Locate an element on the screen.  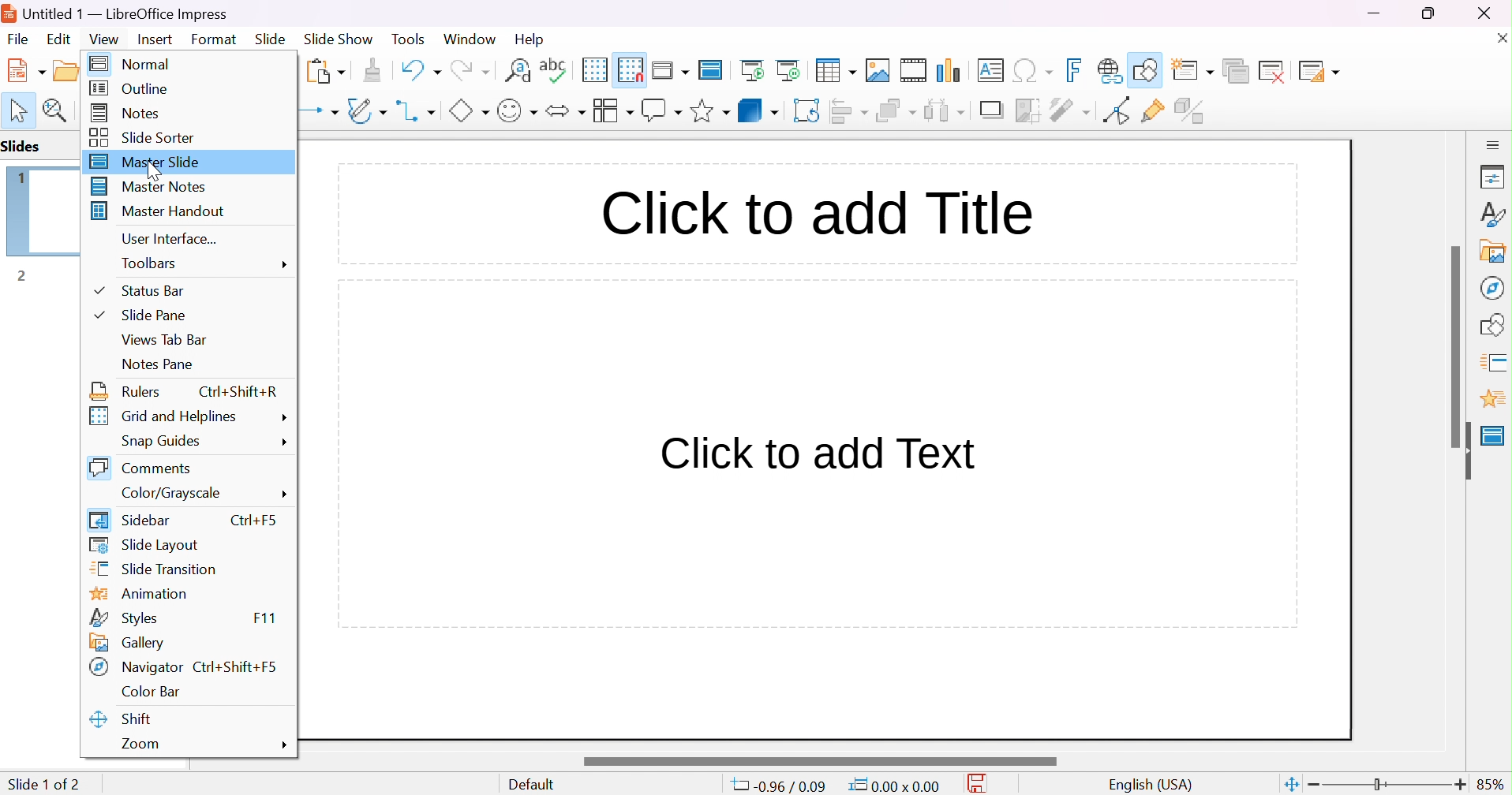
find and replace is located at coordinates (518, 69).